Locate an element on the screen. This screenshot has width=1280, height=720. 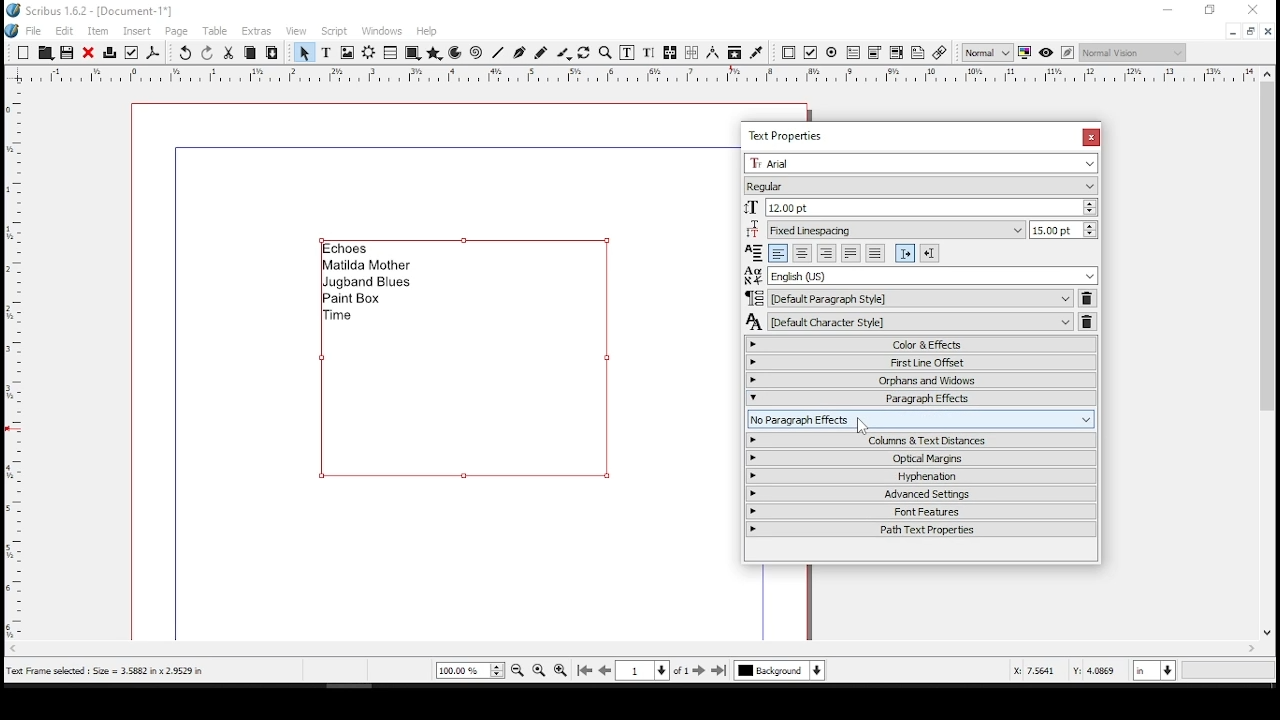
font is located at coordinates (920, 166).